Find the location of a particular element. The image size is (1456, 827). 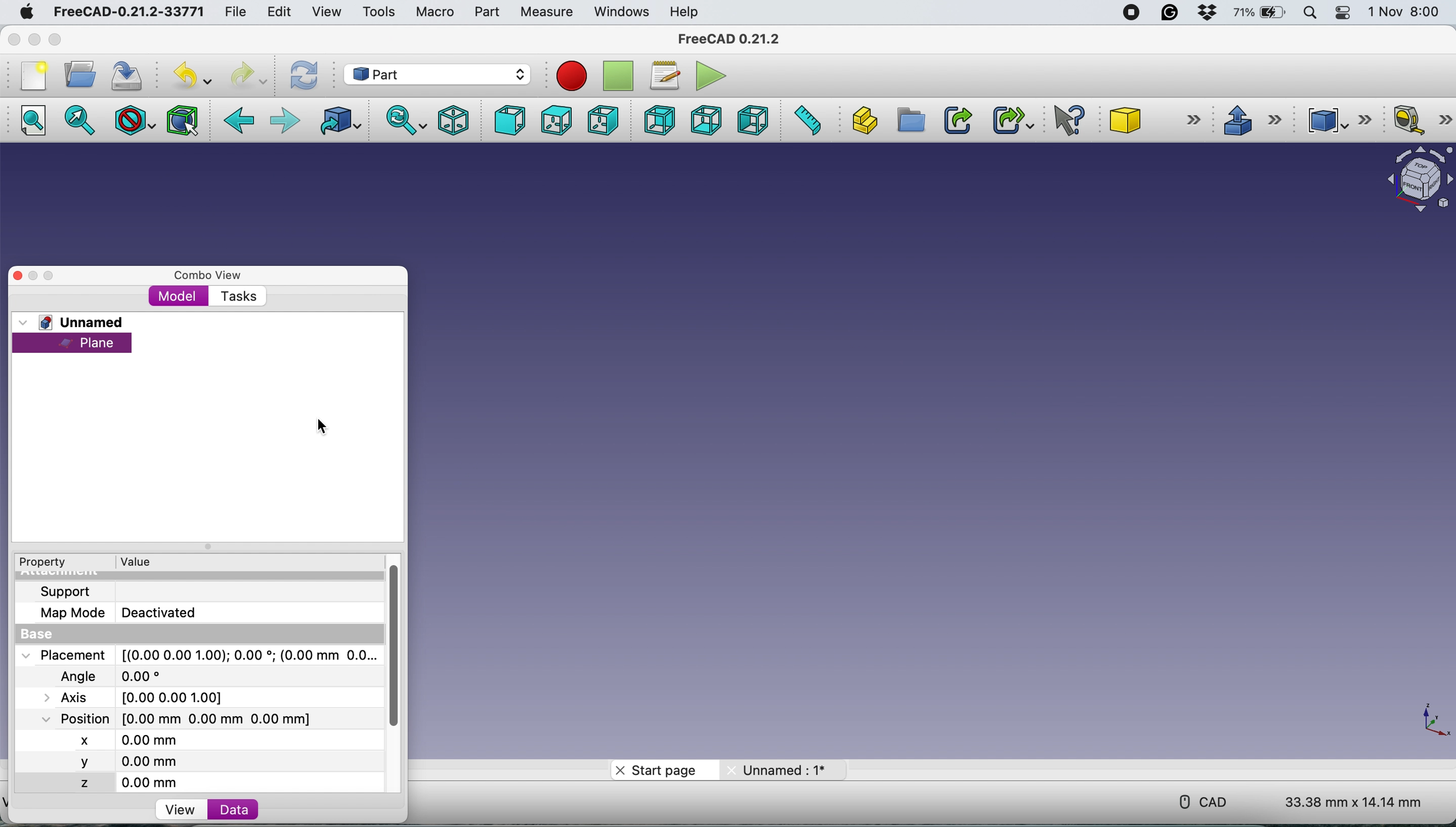

close is located at coordinates (14, 39).